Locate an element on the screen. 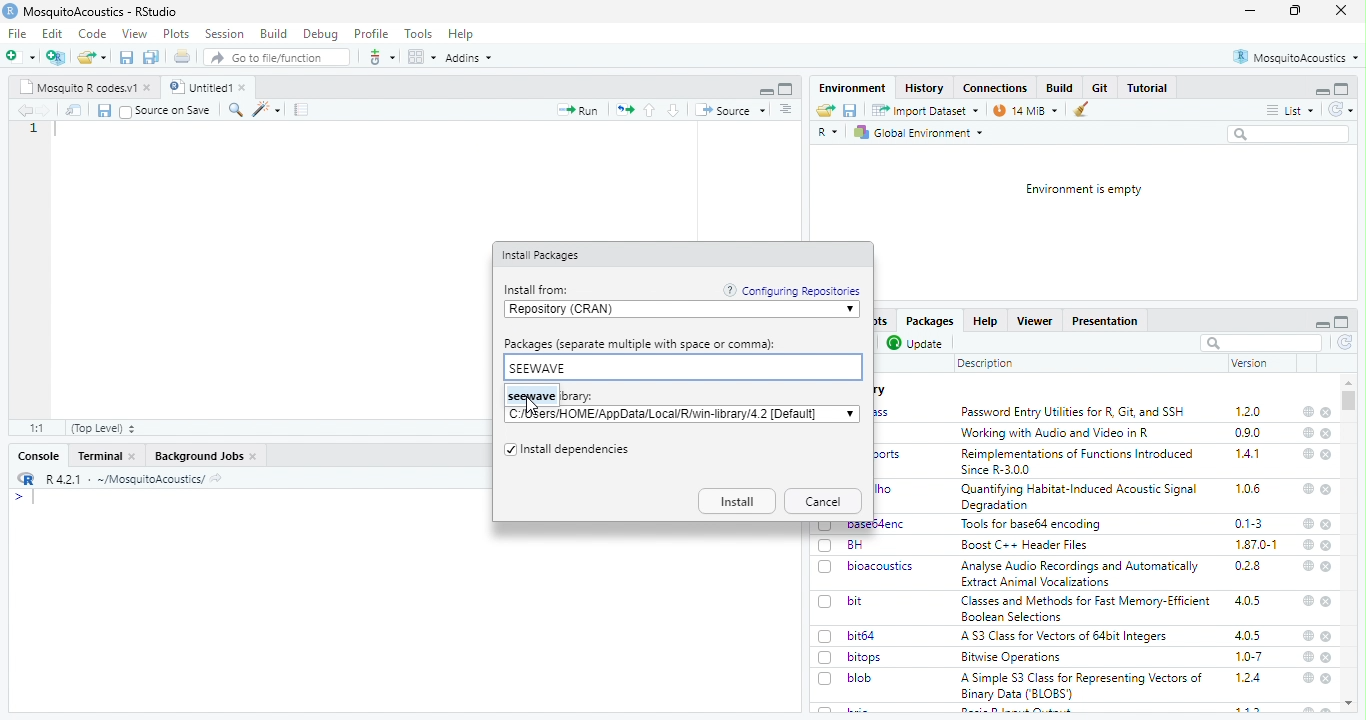 The image size is (1366, 720). bitops is located at coordinates (866, 657).